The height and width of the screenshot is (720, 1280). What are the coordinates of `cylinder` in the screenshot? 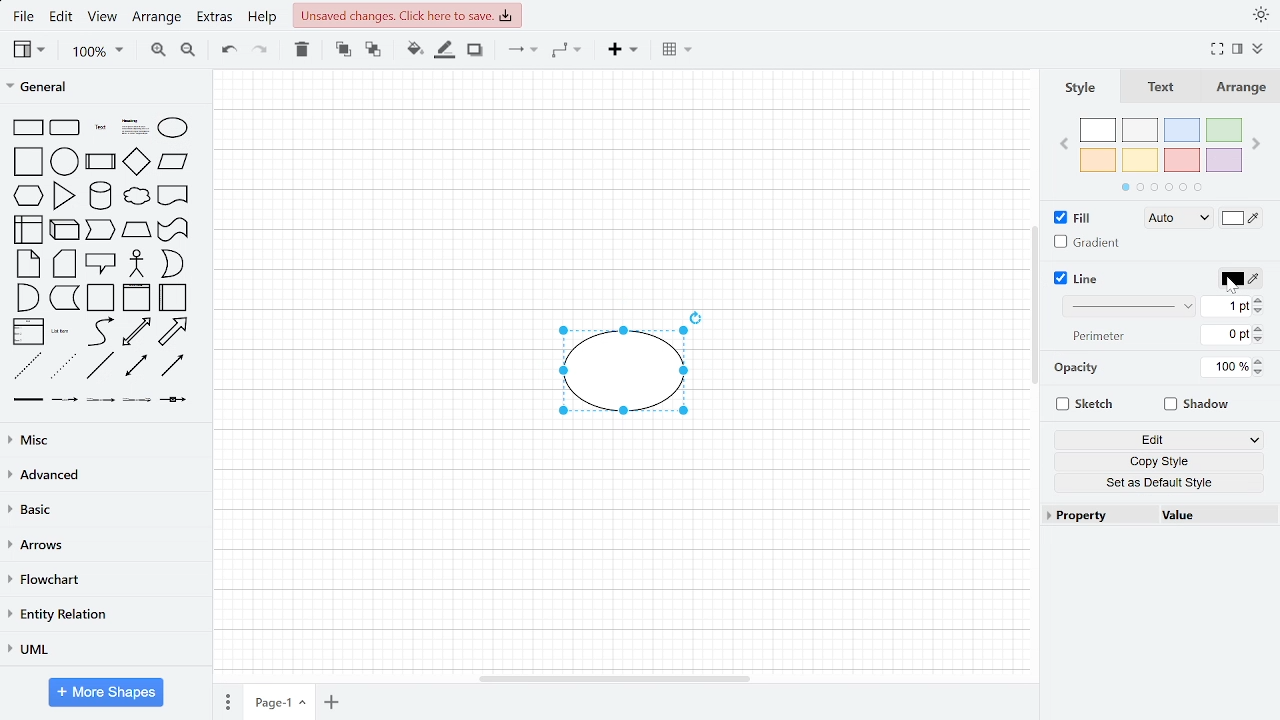 It's located at (101, 196).